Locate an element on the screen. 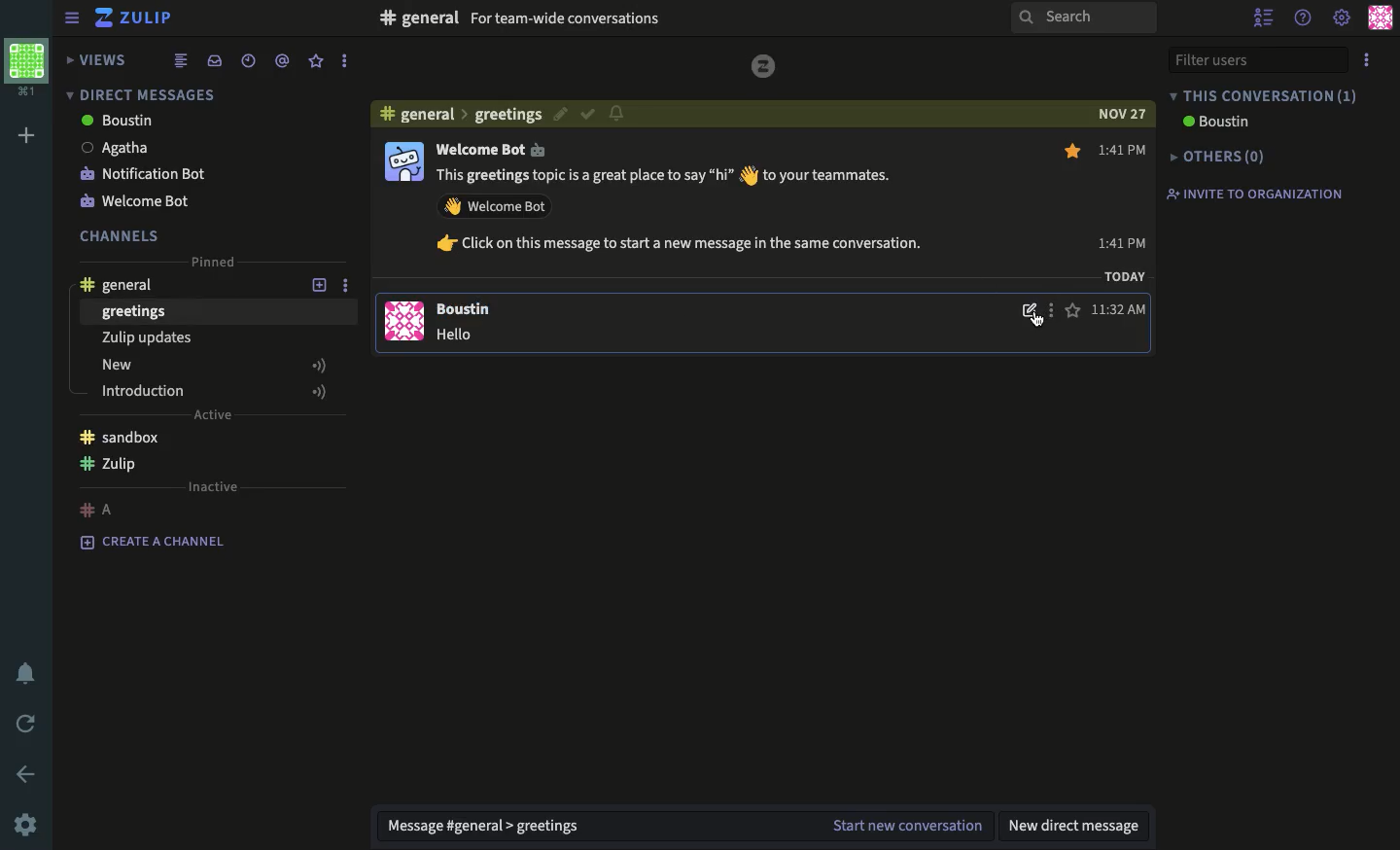 Image resolution: width=1400 pixels, height=850 pixels. others is located at coordinates (1219, 156).